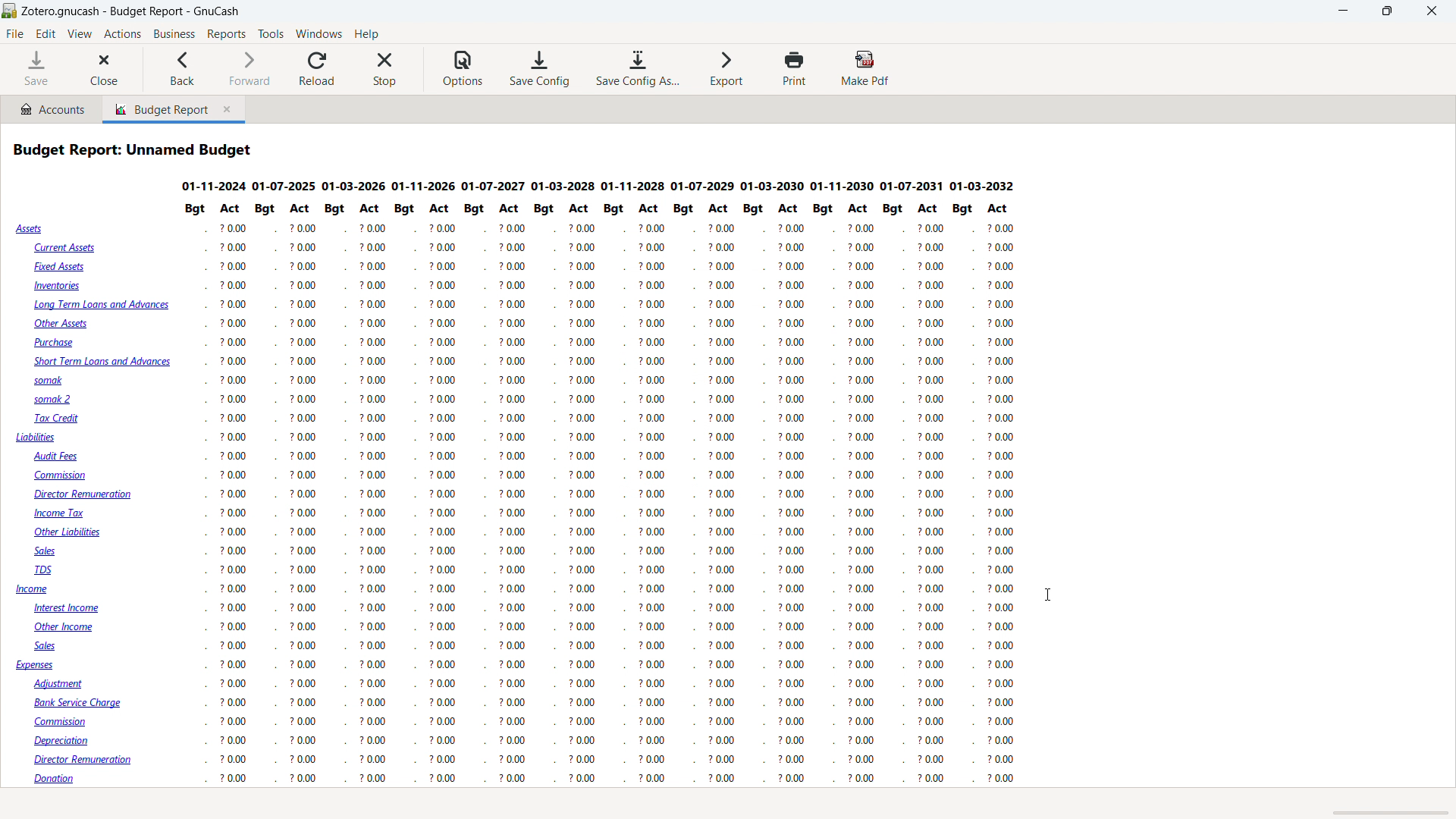  What do you see at coordinates (122, 35) in the screenshot?
I see `actions` at bounding box center [122, 35].